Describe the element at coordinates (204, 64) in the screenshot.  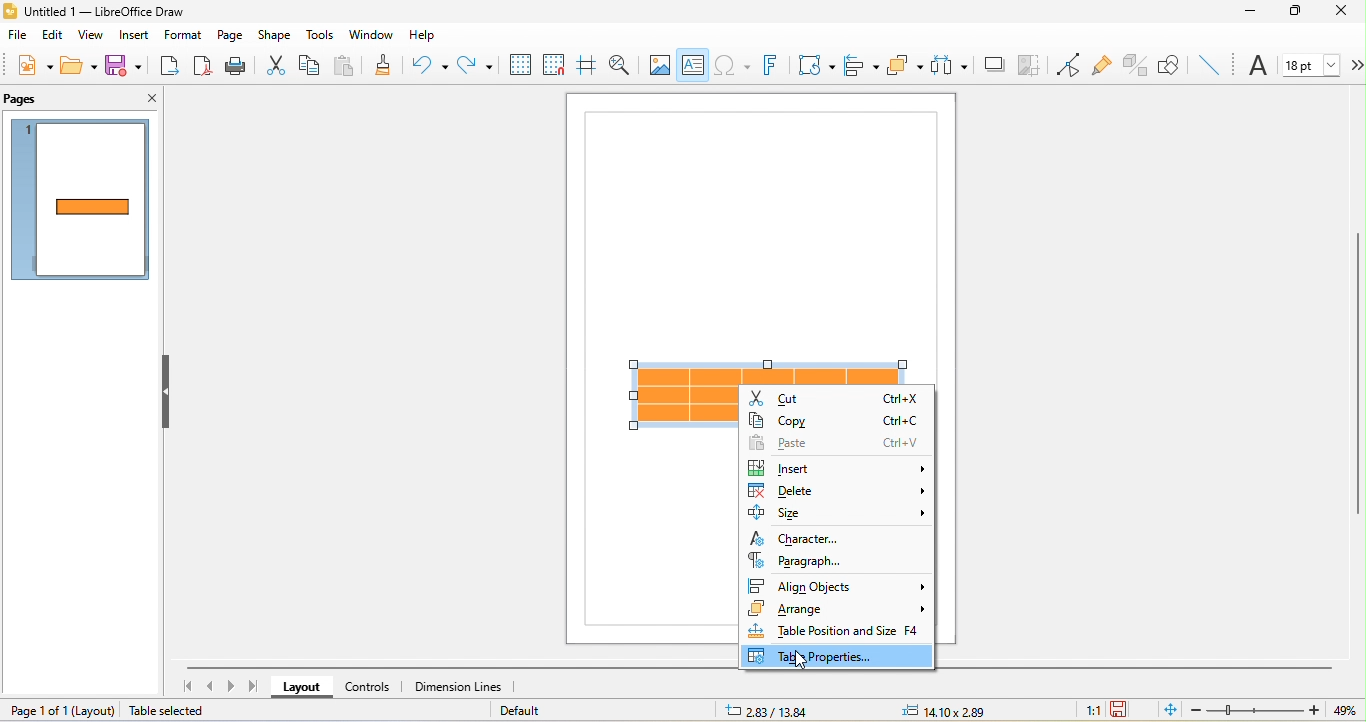
I see `export directly as pdf` at that location.